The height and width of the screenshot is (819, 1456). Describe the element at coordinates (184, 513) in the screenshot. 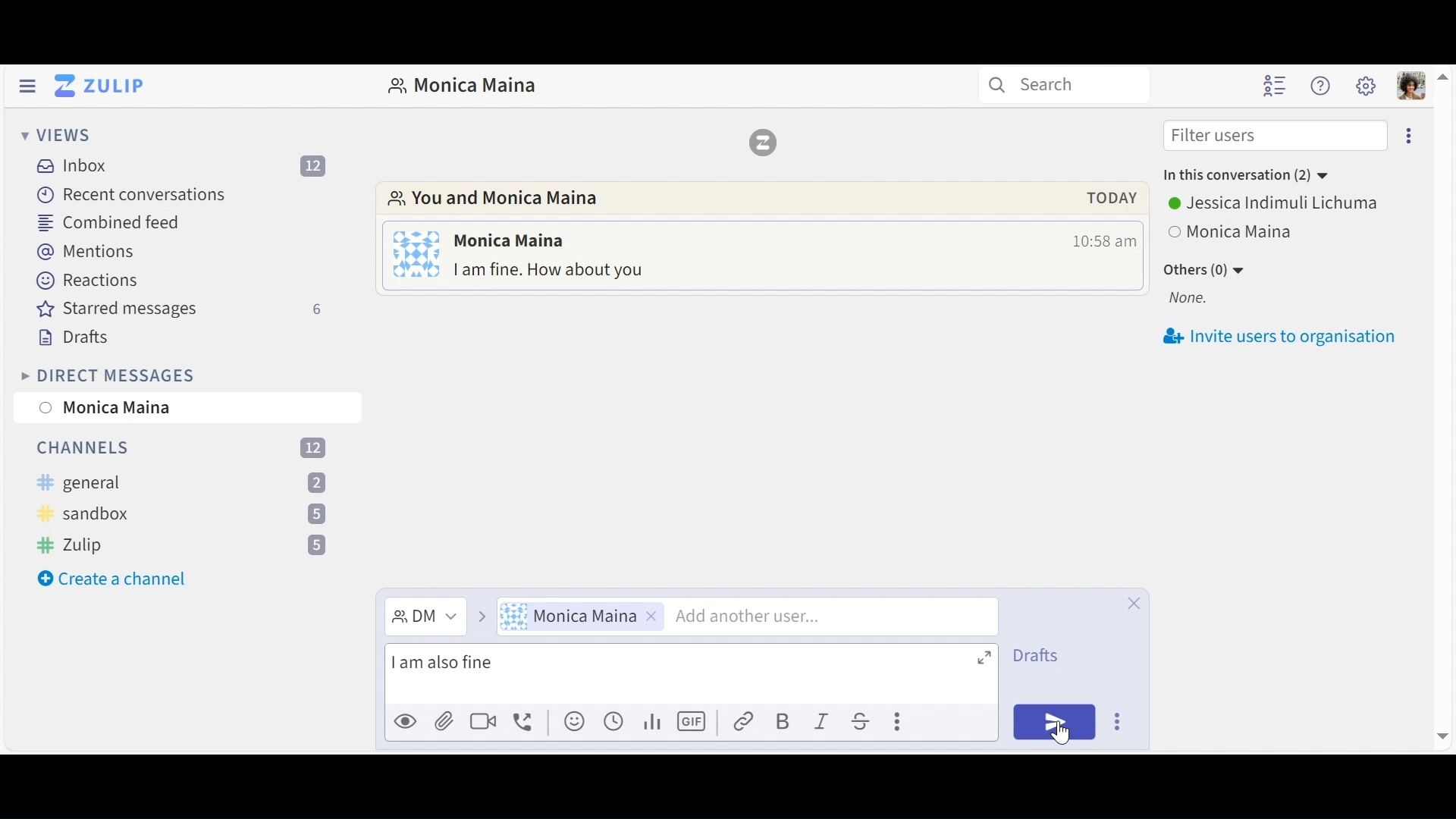

I see `channel` at that location.